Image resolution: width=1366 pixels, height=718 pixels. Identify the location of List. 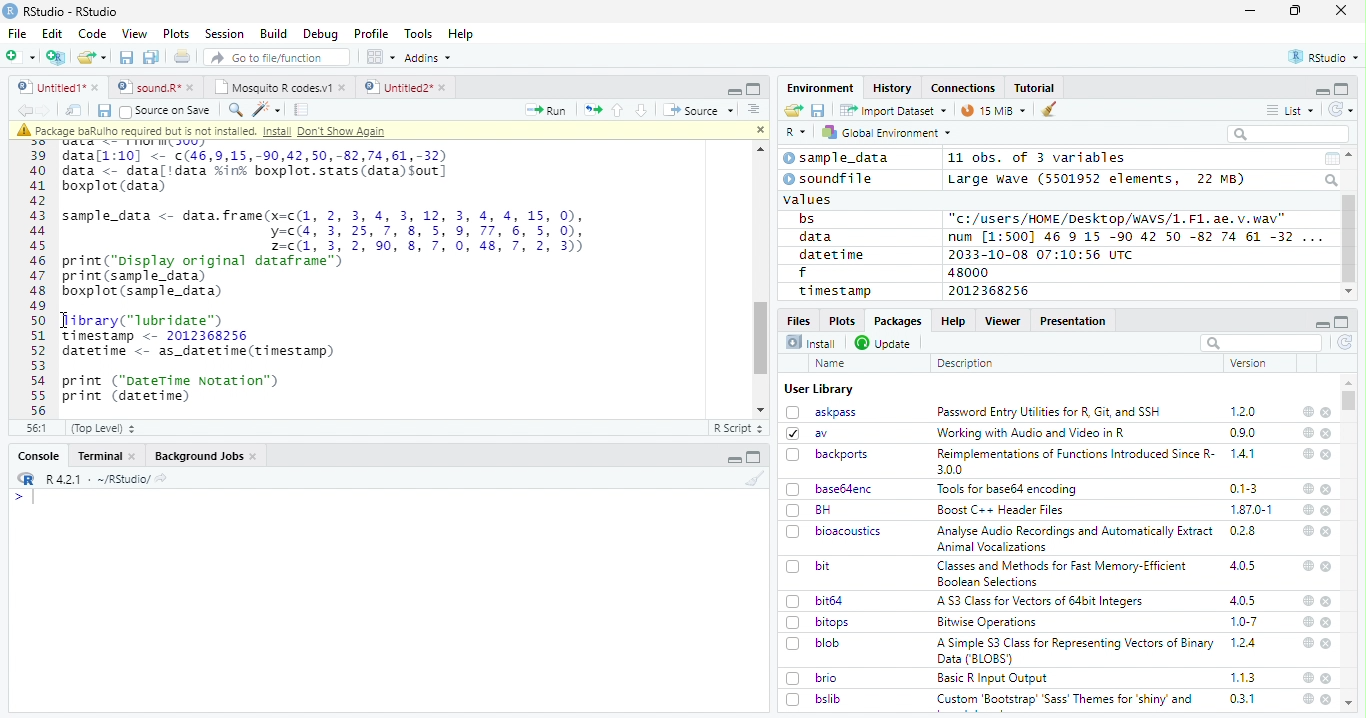
(1291, 111).